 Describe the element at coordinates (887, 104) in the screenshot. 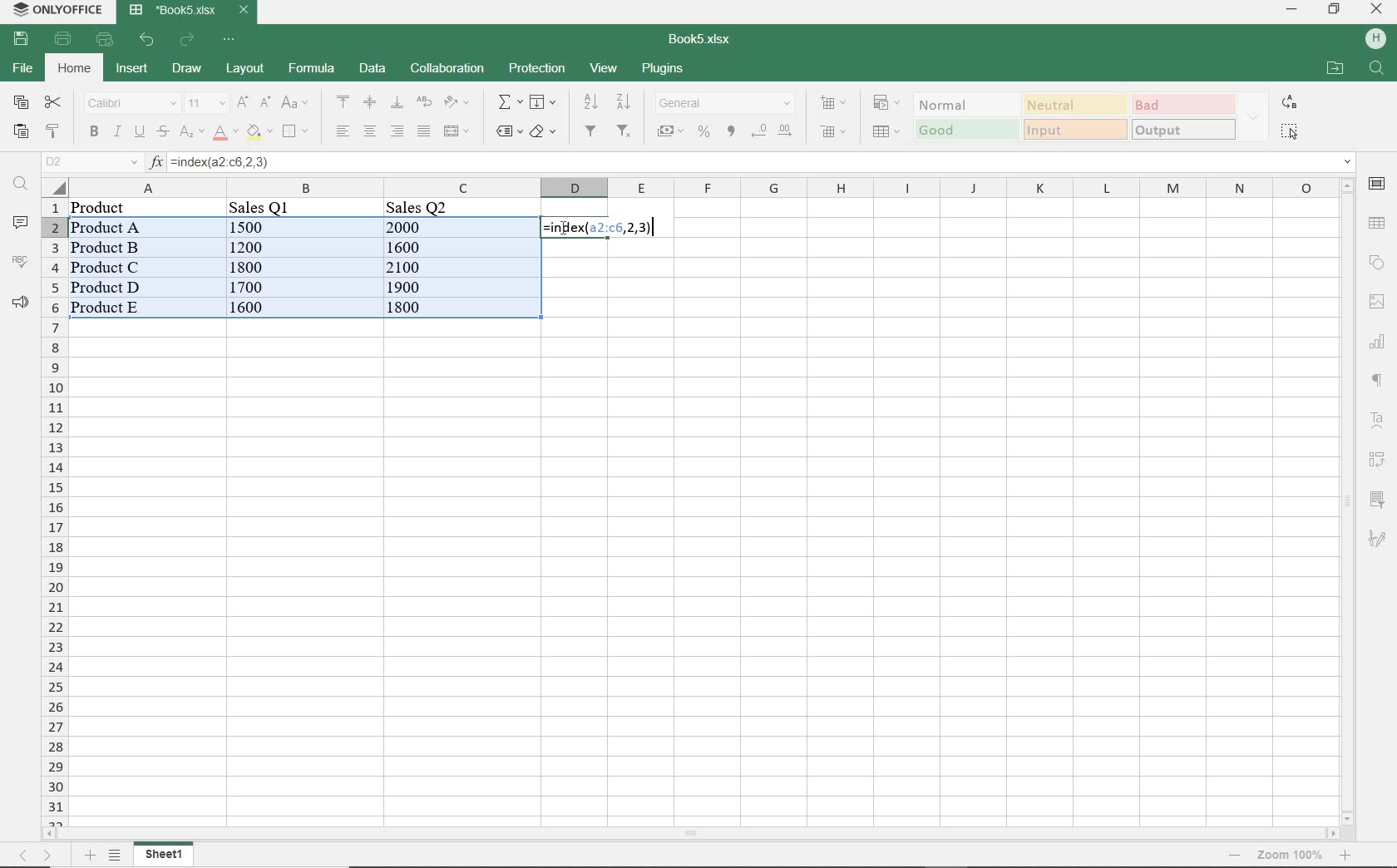

I see `conditional formatting` at that location.